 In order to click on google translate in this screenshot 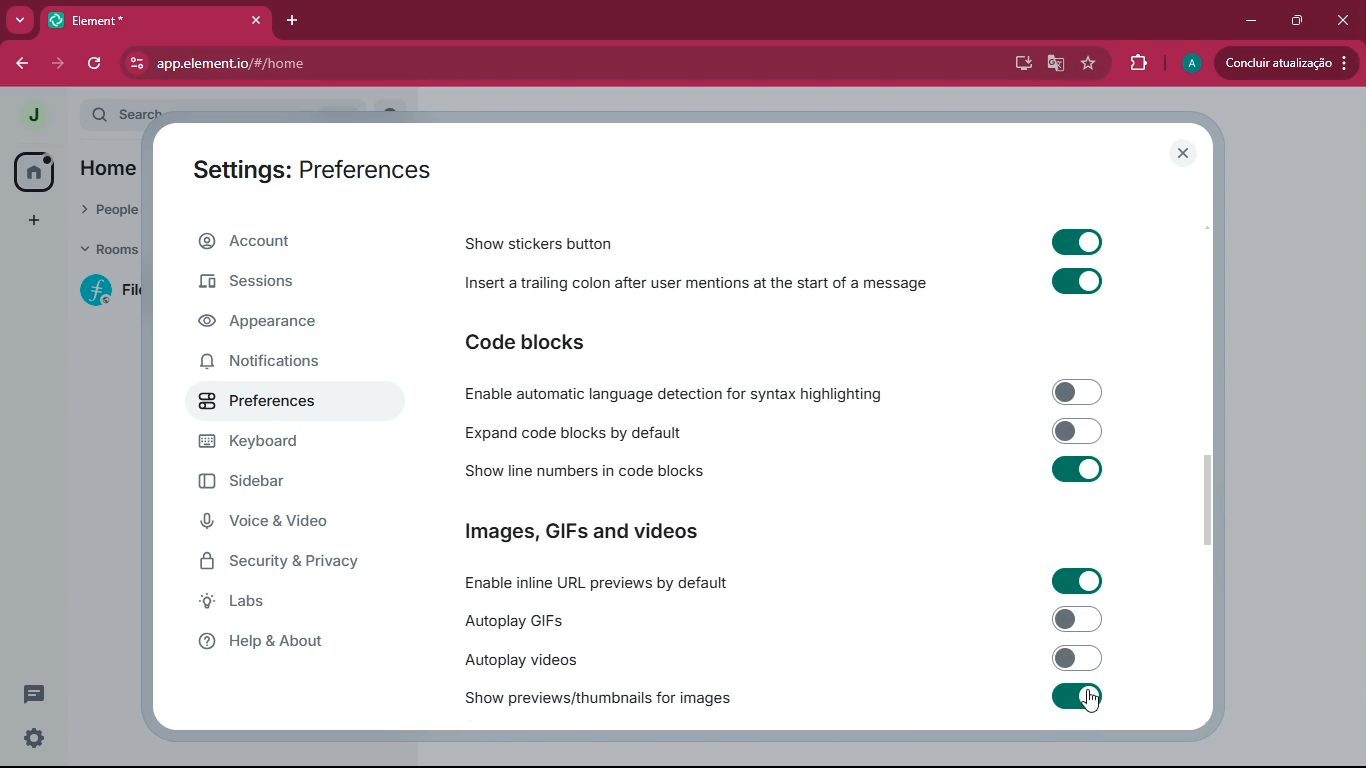, I will do `click(1054, 63)`.